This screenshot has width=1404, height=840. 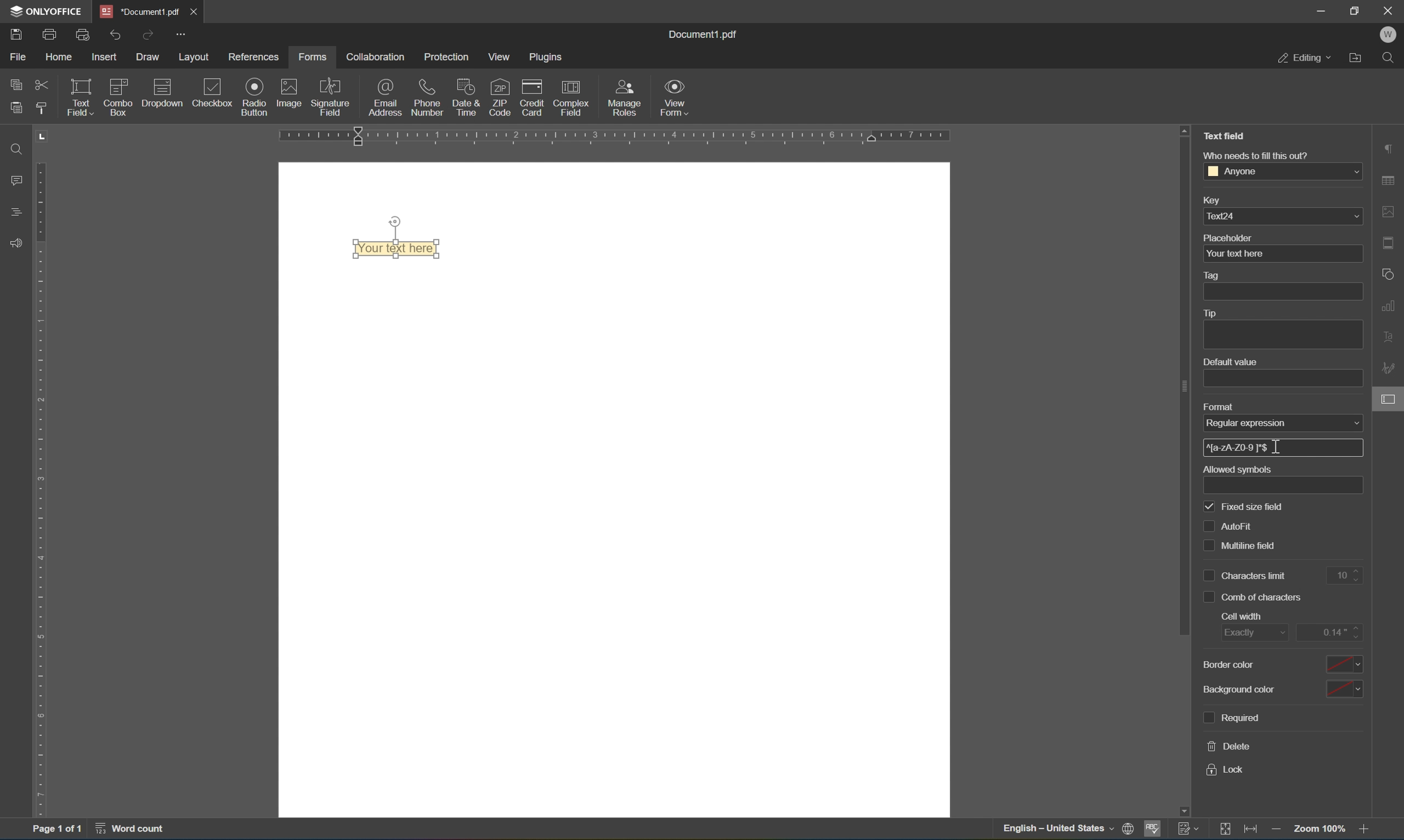 What do you see at coordinates (164, 98) in the screenshot?
I see `icon` at bounding box center [164, 98].